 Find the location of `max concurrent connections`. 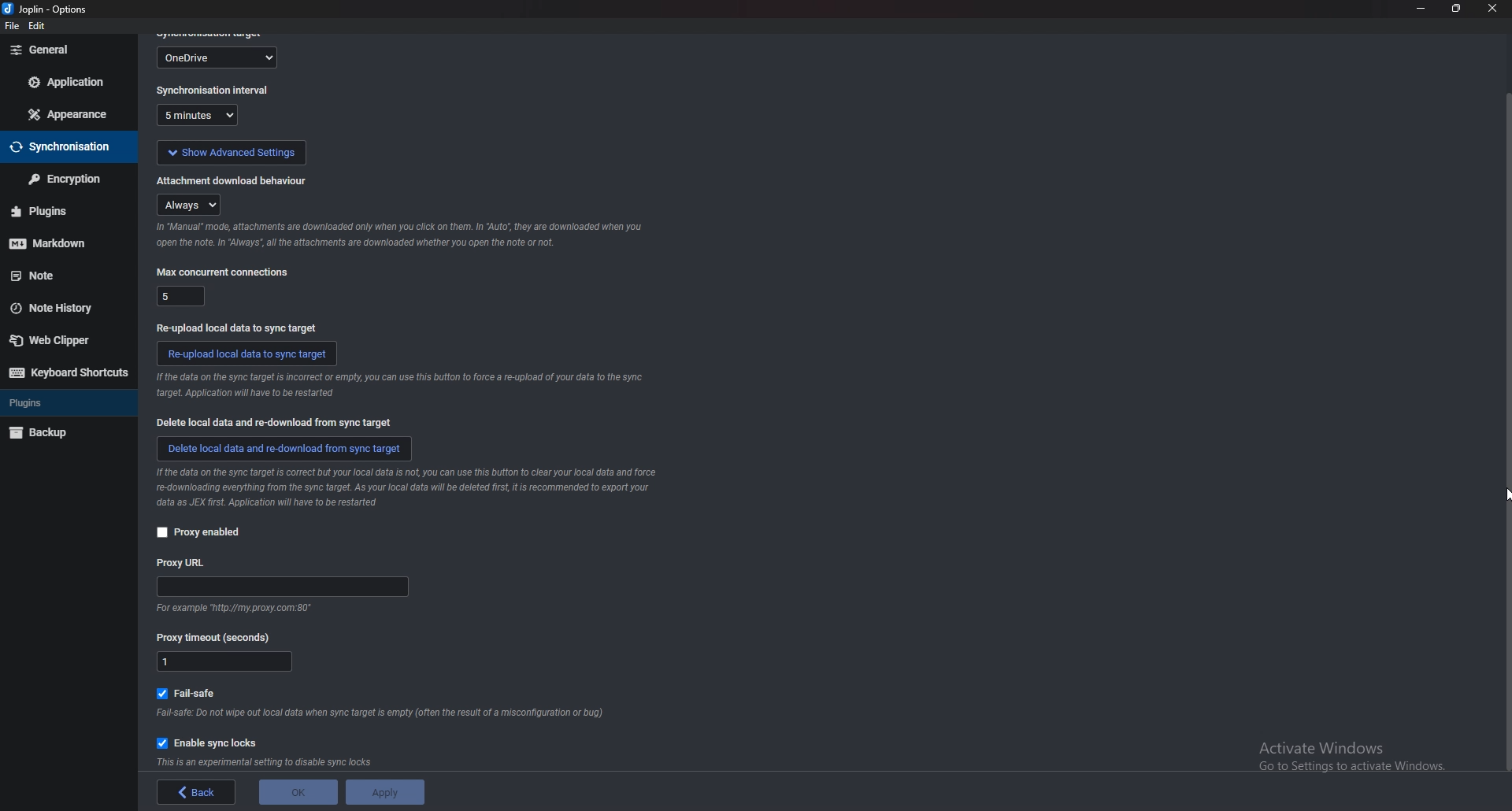

max concurrent connections is located at coordinates (180, 294).